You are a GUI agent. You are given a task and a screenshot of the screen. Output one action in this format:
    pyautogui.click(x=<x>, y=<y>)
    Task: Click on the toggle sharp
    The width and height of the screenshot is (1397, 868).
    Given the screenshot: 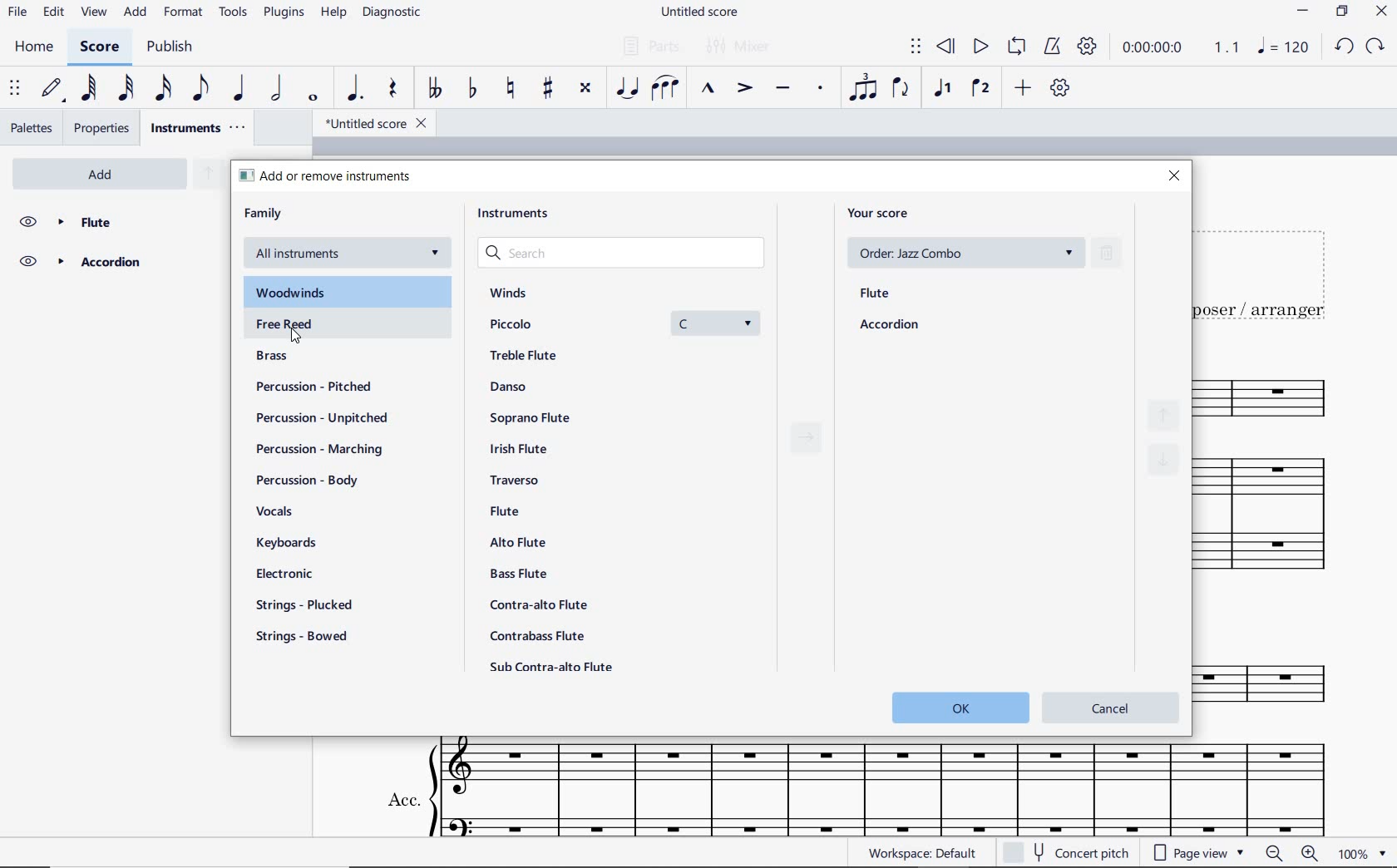 What is the action you would take?
    pyautogui.click(x=547, y=89)
    